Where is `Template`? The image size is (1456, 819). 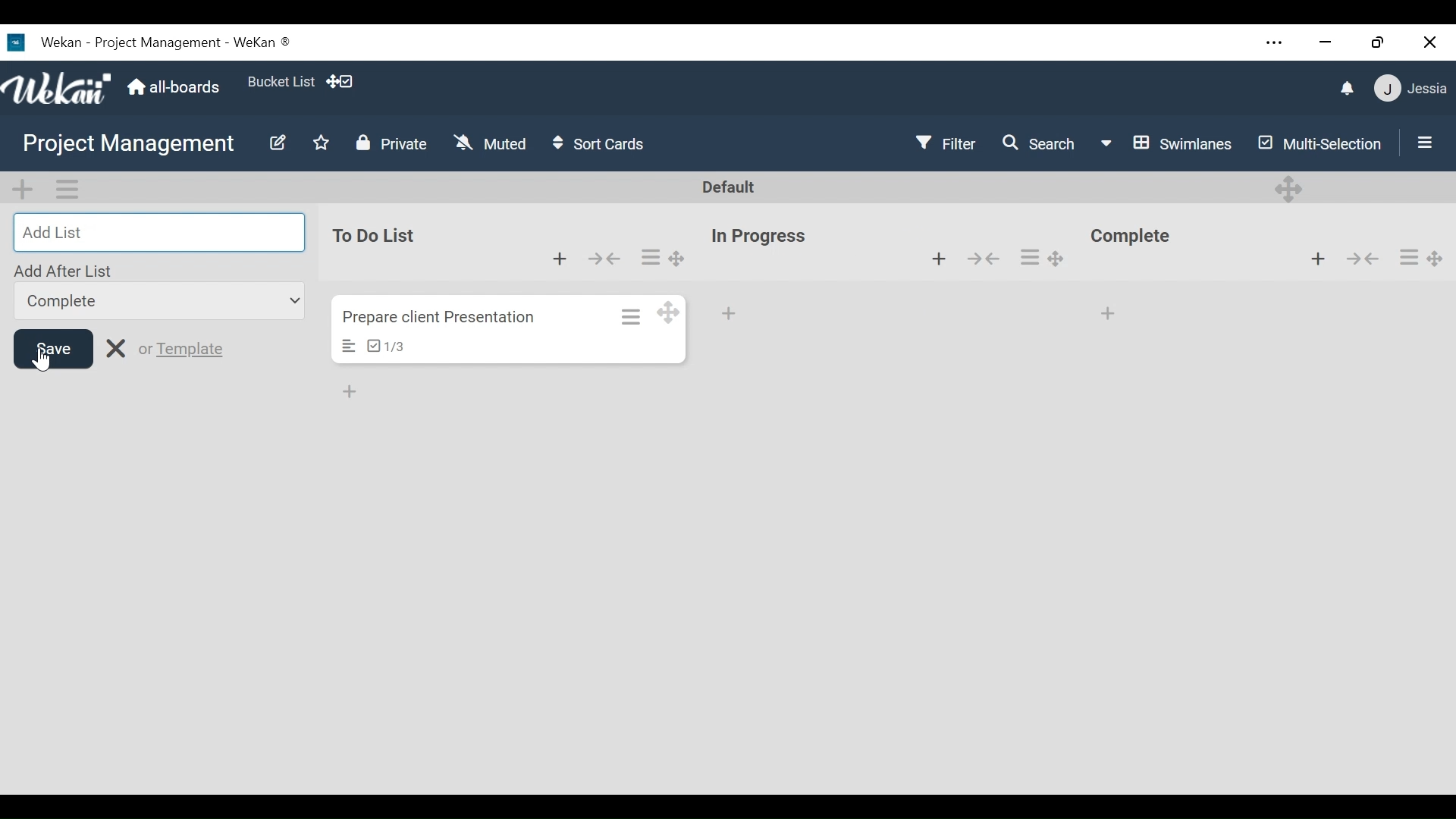 Template is located at coordinates (194, 351).